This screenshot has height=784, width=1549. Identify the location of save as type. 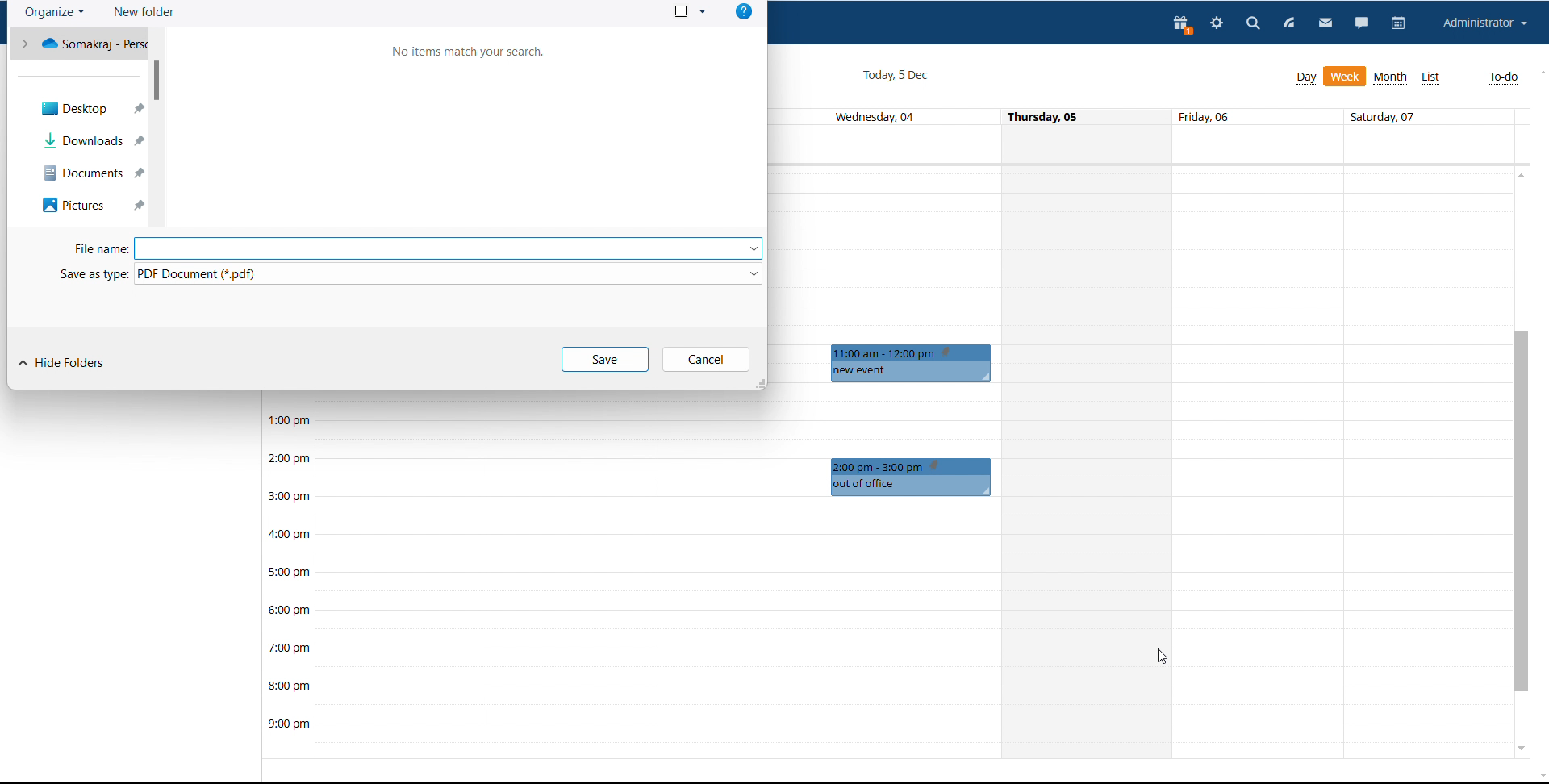
(408, 273).